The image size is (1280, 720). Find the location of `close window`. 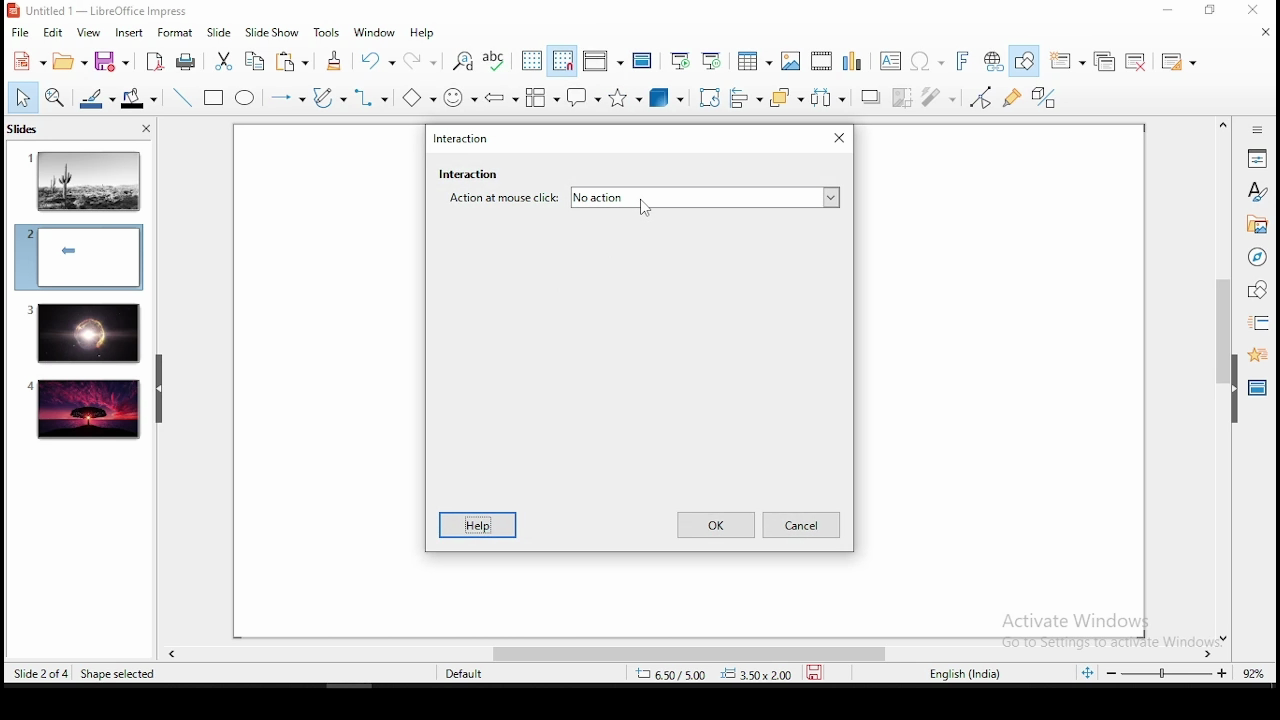

close window is located at coordinates (1257, 11).